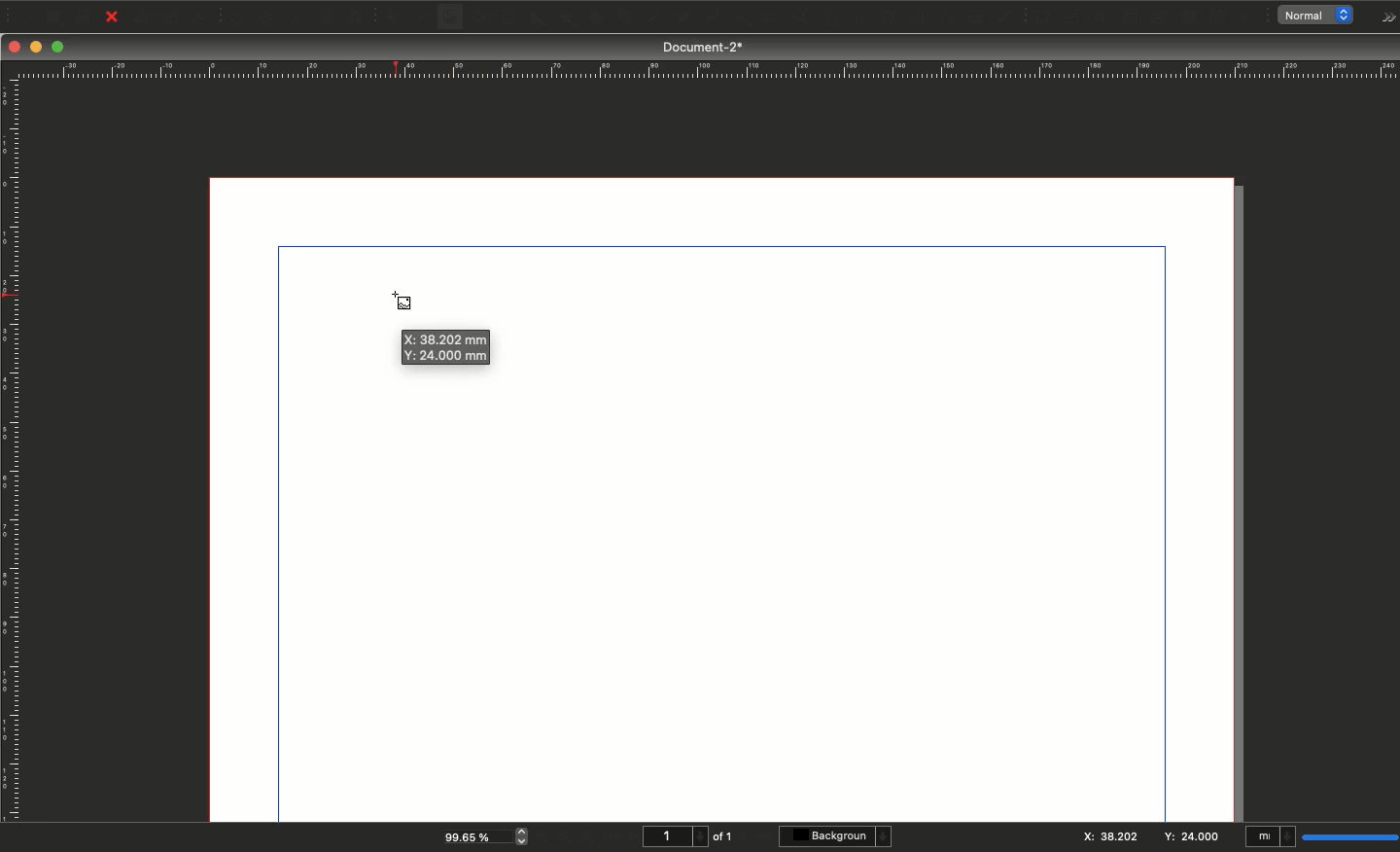 The height and width of the screenshot is (852, 1400). What do you see at coordinates (911, 17) in the screenshot?
I see `Unlink text frames` at bounding box center [911, 17].